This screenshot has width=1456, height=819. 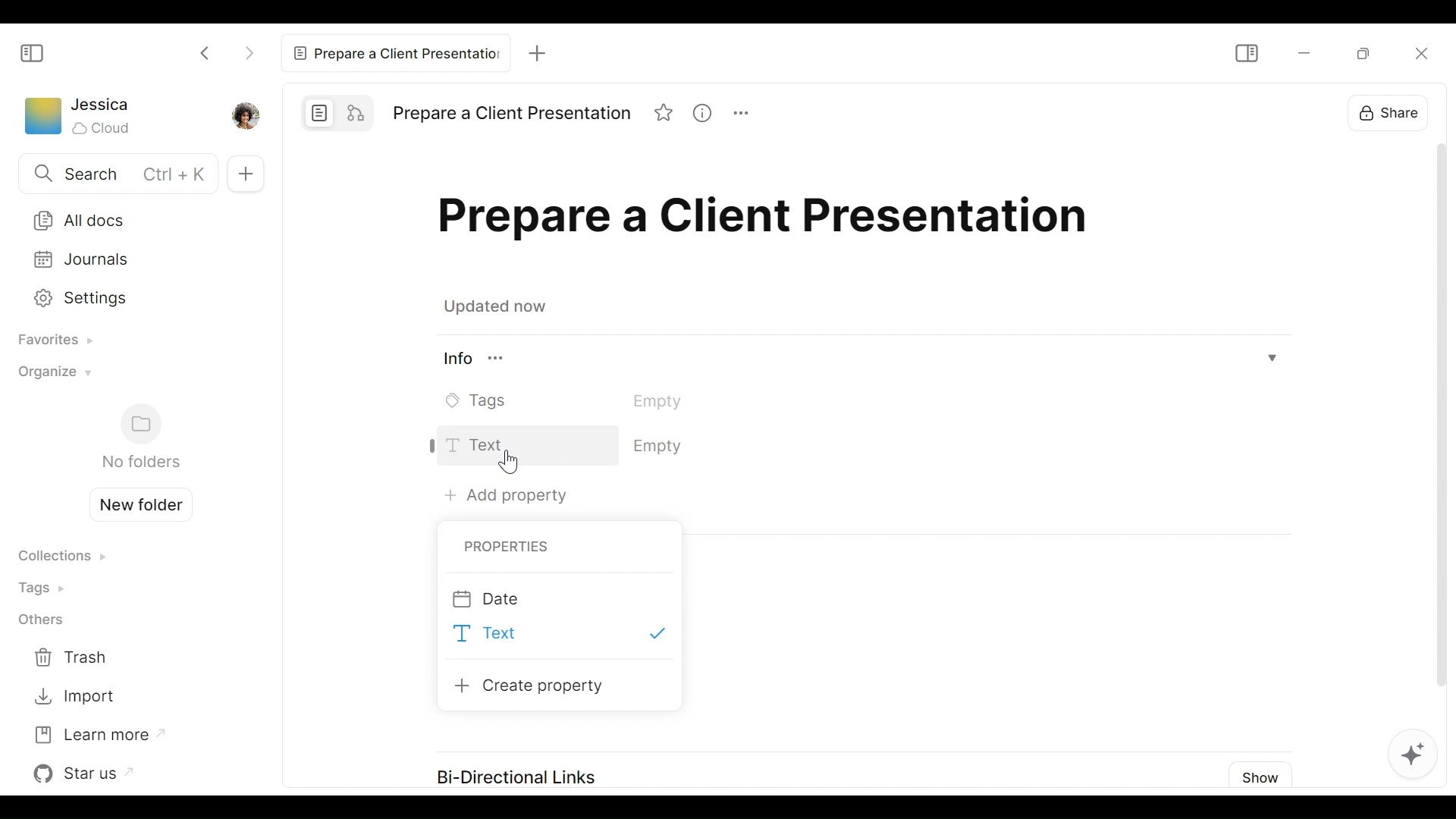 I want to click on Star us, so click(x=87, y=773).